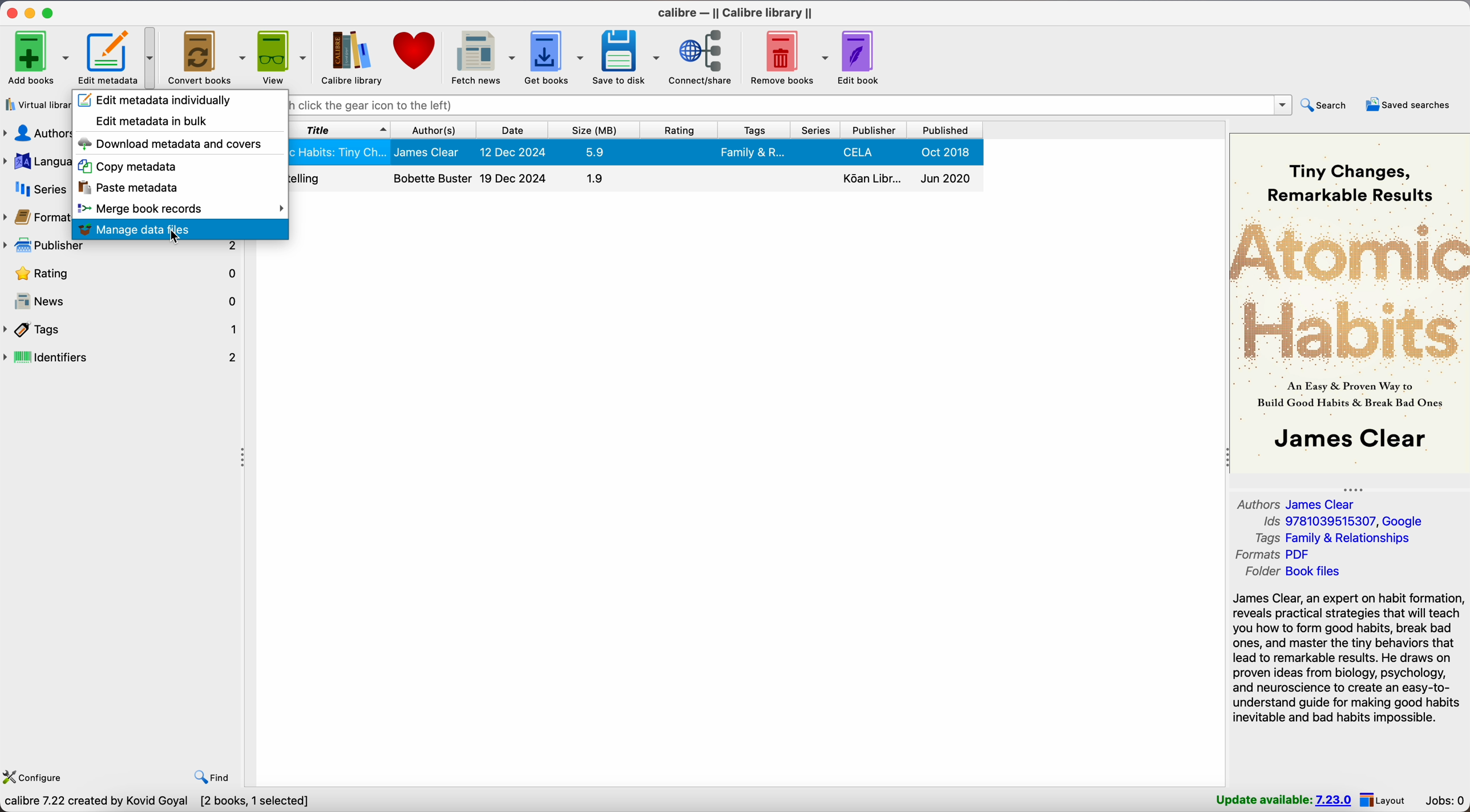  I want to click on date, so click(512, 130).